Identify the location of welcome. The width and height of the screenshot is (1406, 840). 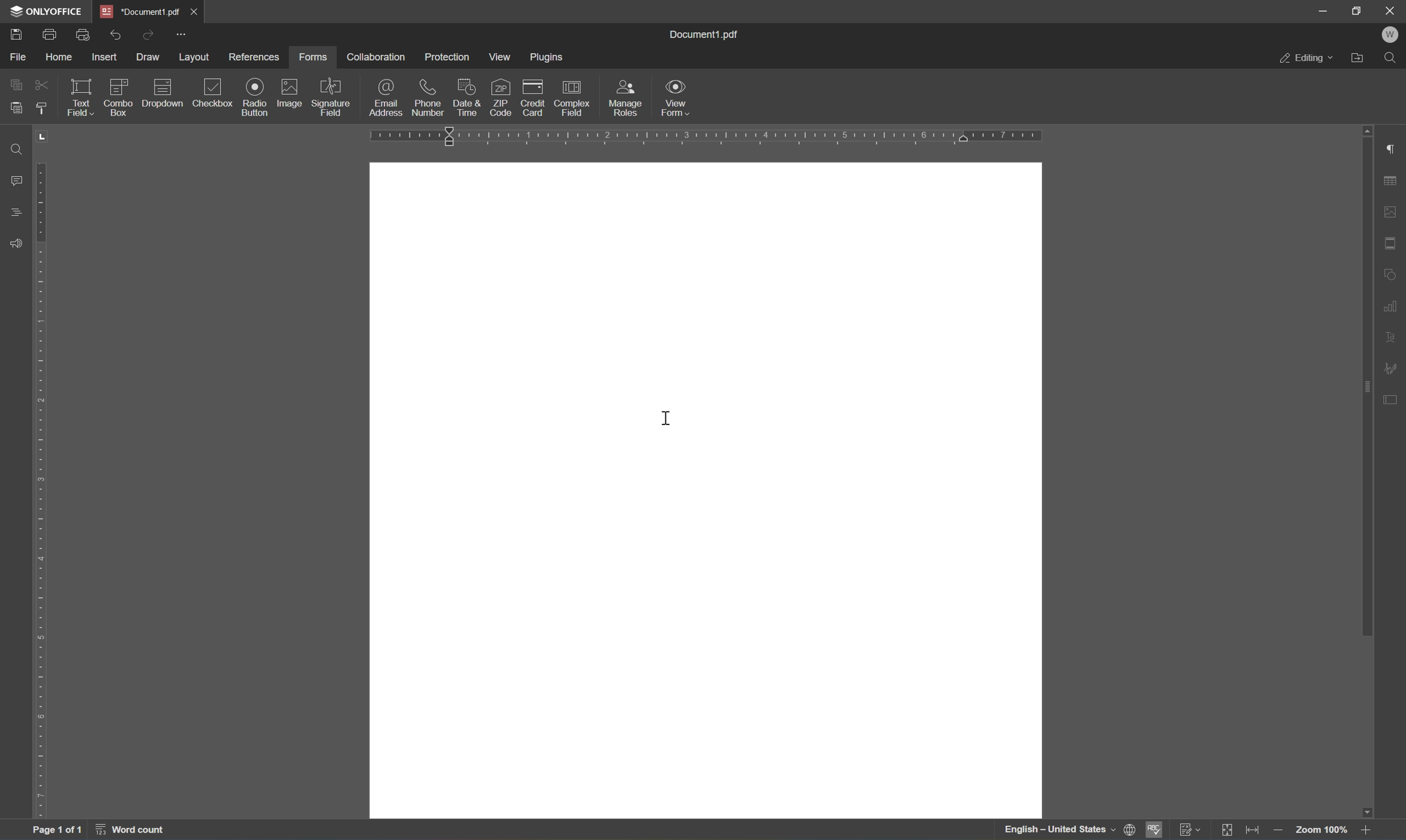
(1392, 33).